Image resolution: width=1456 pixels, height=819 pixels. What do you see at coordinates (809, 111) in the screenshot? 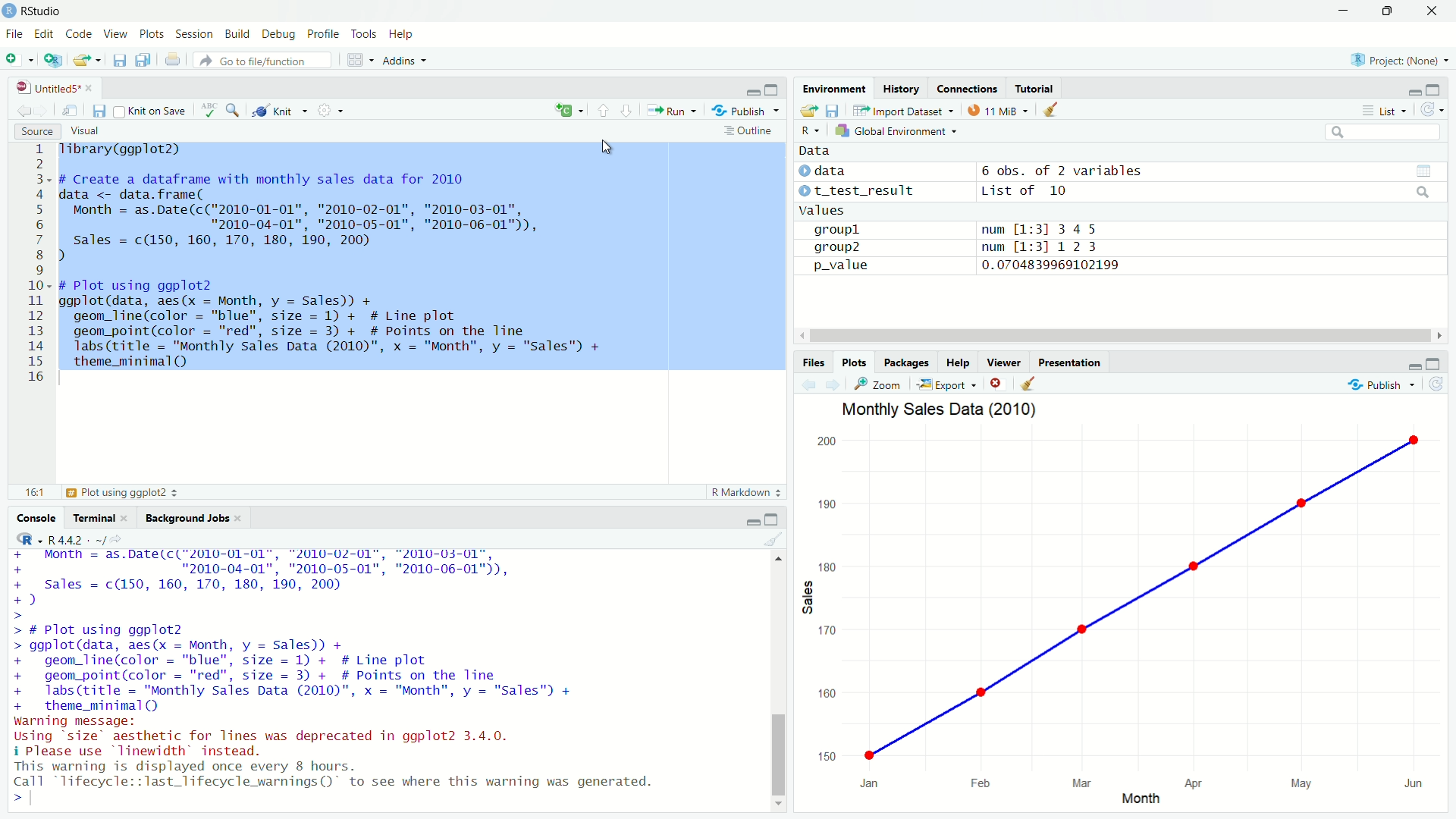
I see `load workspace` at bounding box center [809, 111].